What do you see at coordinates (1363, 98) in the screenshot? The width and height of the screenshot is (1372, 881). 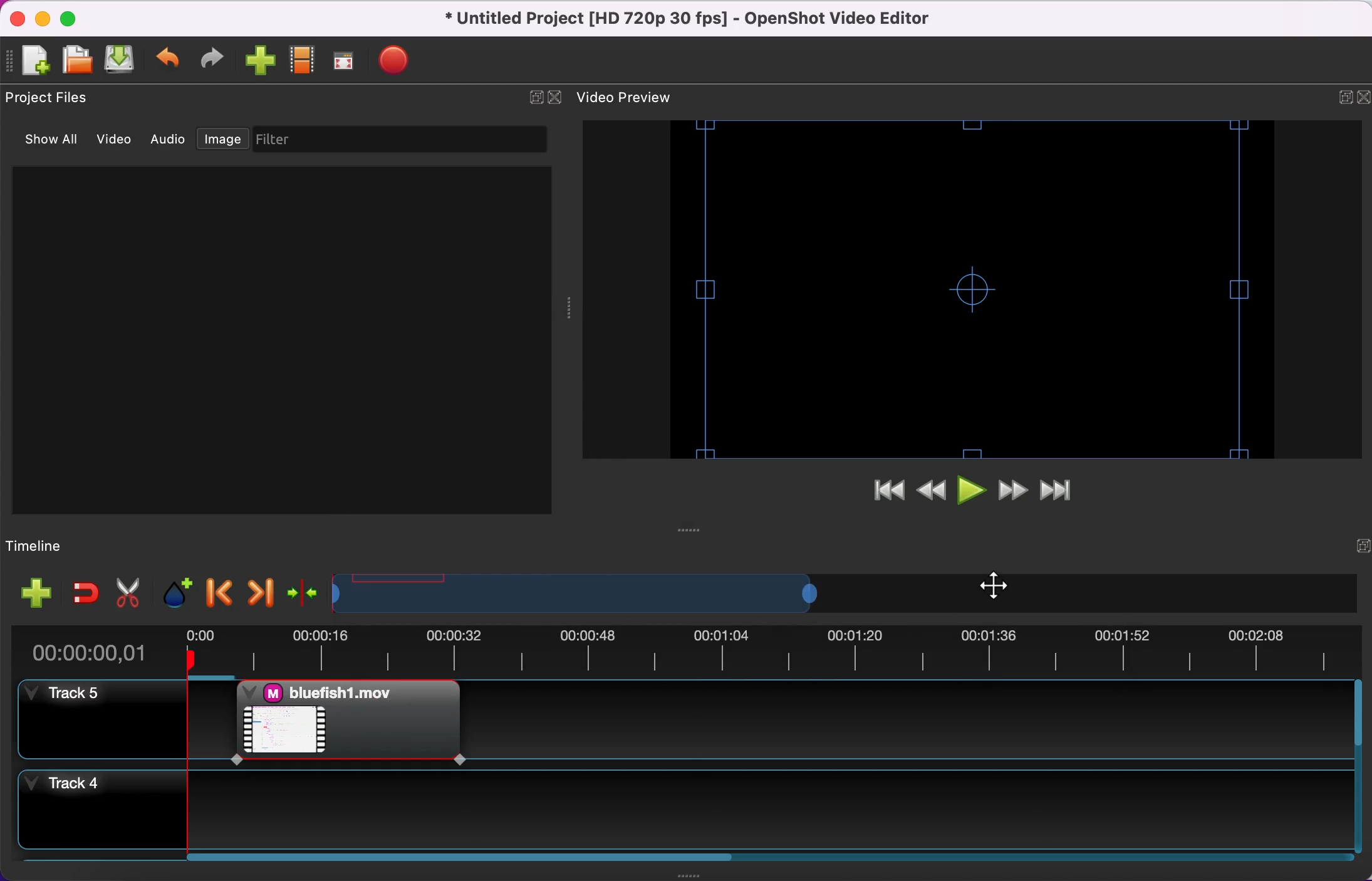 I see `close` at bounding box center [1363, 98].